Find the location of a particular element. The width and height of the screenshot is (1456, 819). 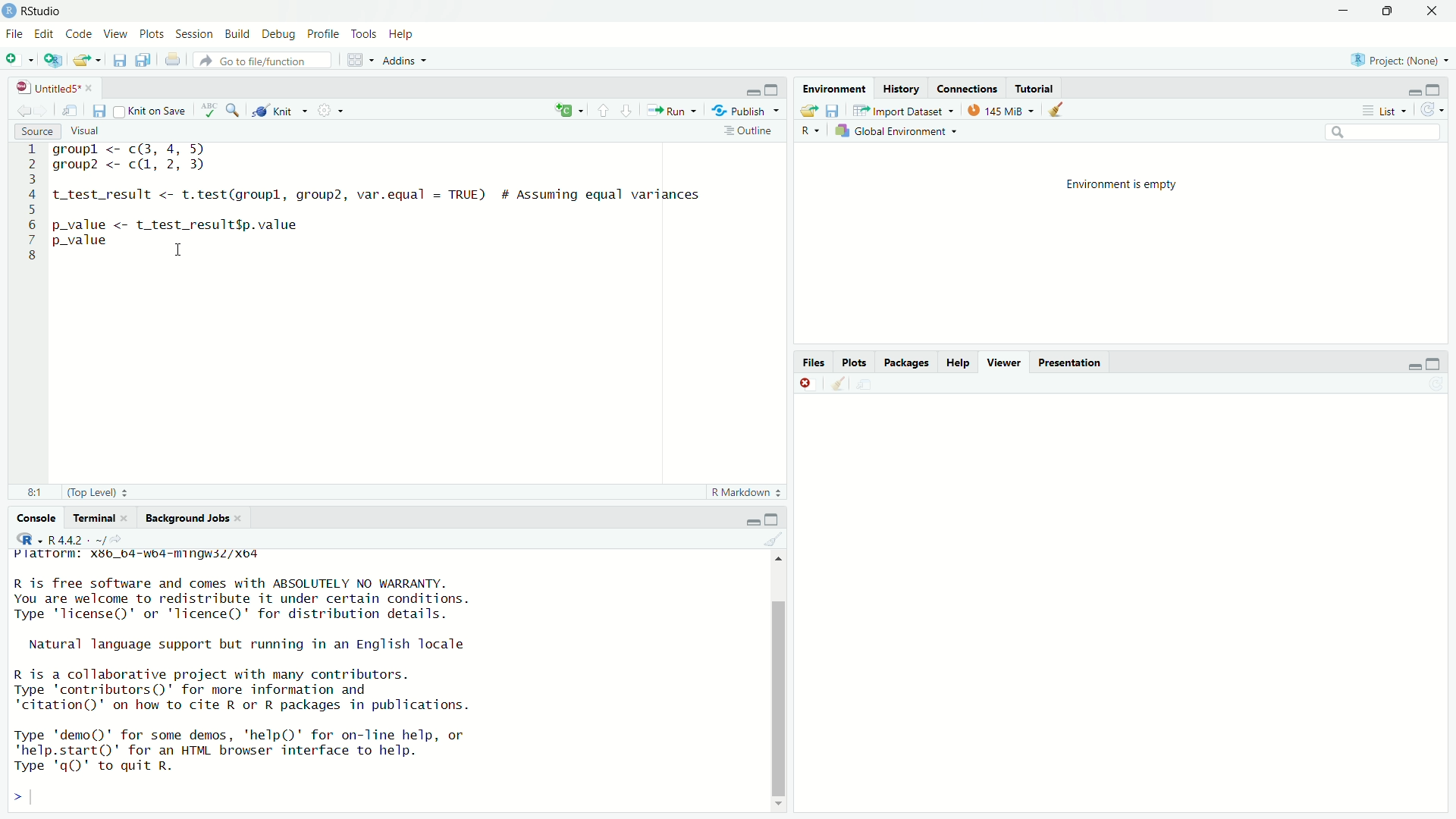

re-run previous code is located at coordinates (568, 111).